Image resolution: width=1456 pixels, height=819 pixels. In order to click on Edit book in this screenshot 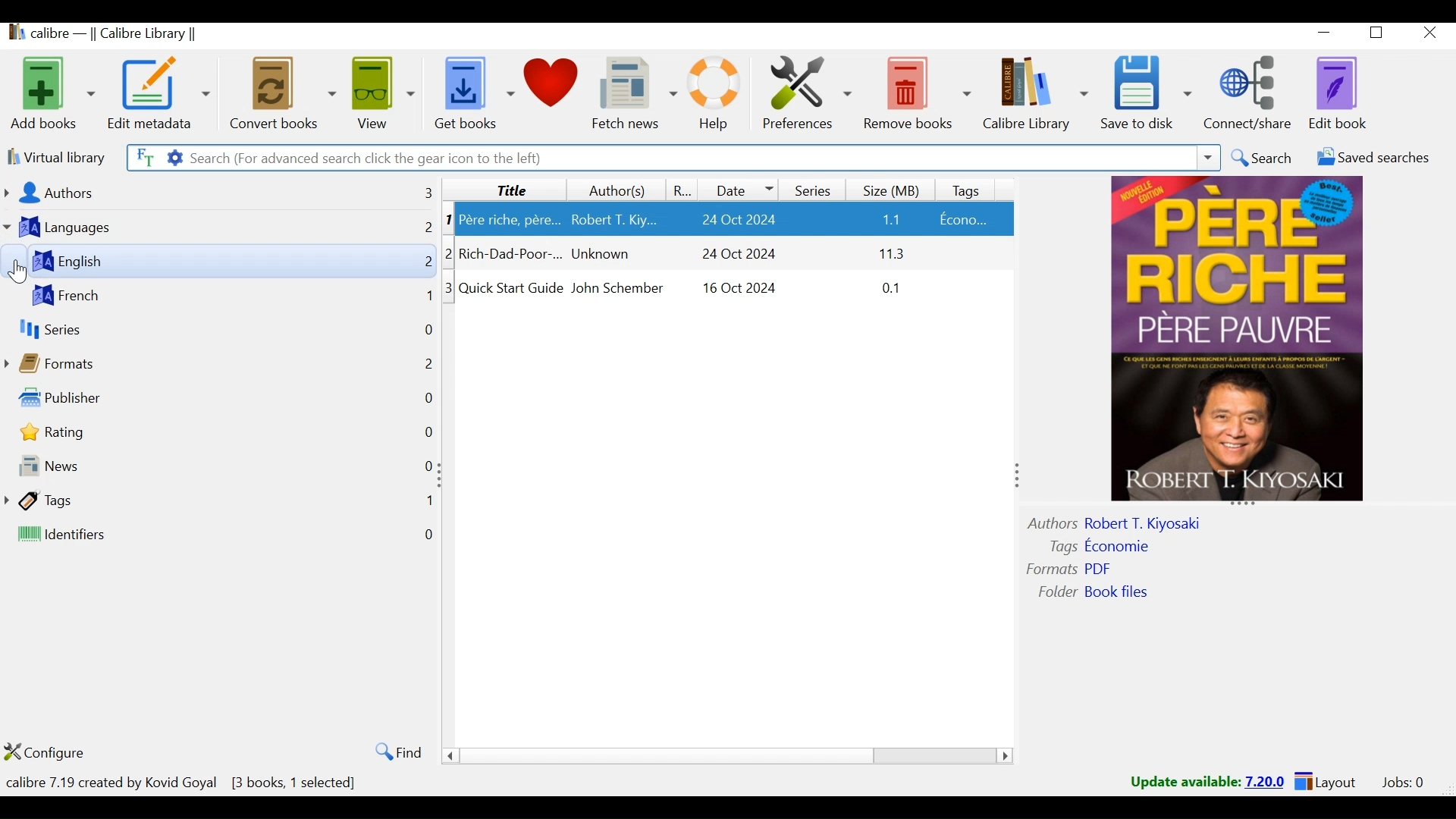, I will do `click(1341, 93)`.